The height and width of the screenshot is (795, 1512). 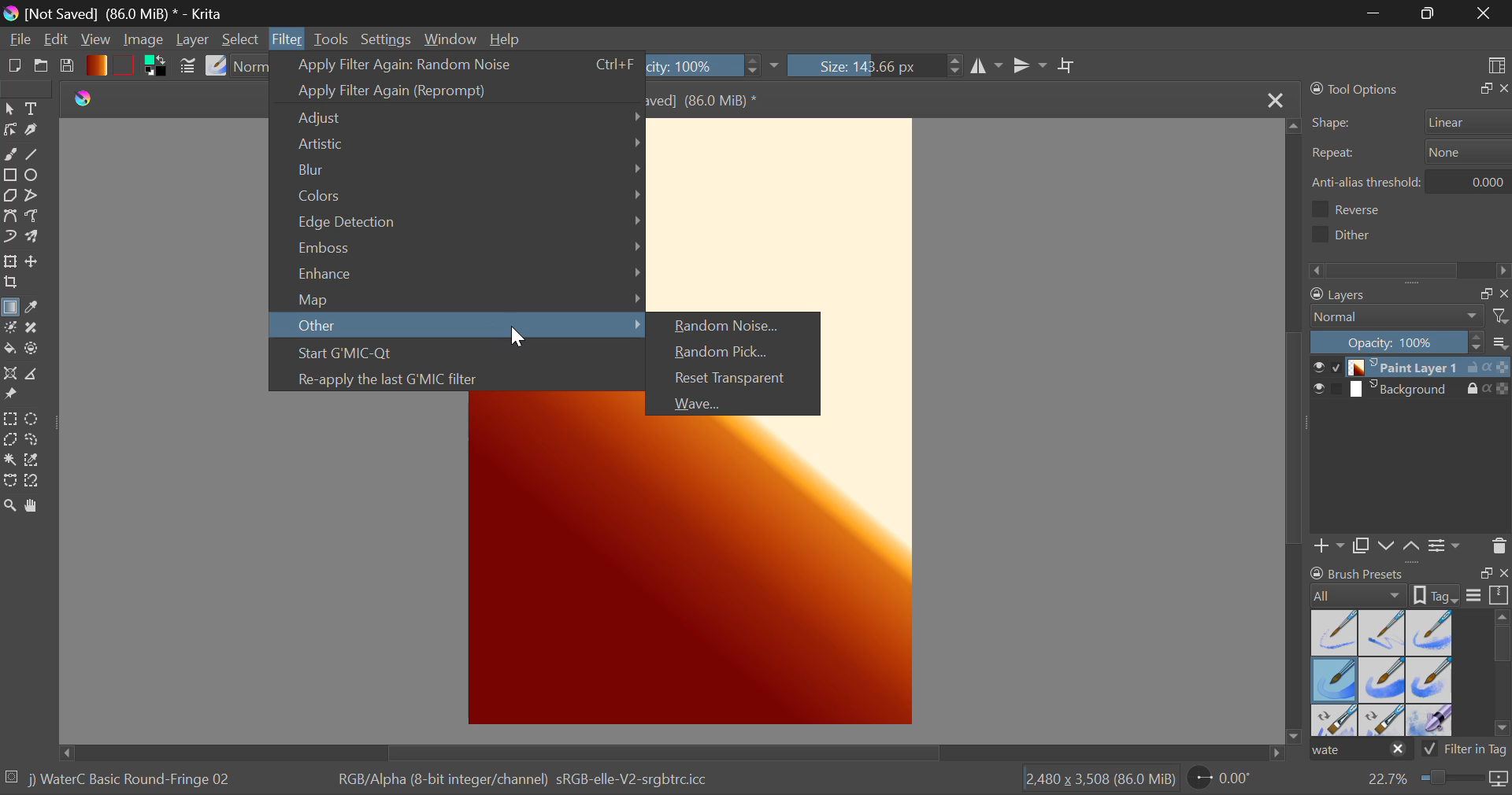 I want to click on Multibrush, so click(x=34, y=238).